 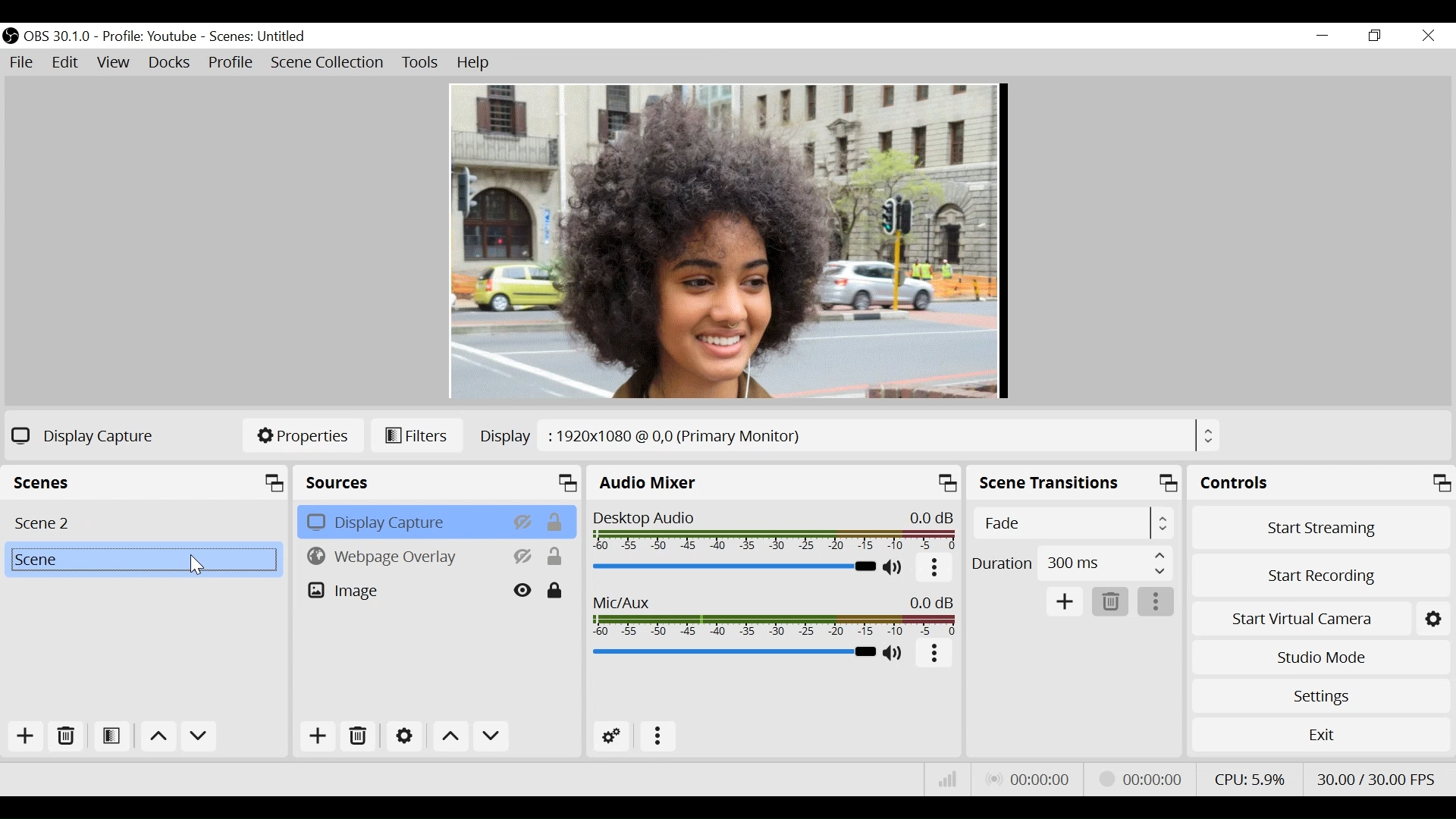 I want to click on Start Streaming, so click(x=1320, y=528).